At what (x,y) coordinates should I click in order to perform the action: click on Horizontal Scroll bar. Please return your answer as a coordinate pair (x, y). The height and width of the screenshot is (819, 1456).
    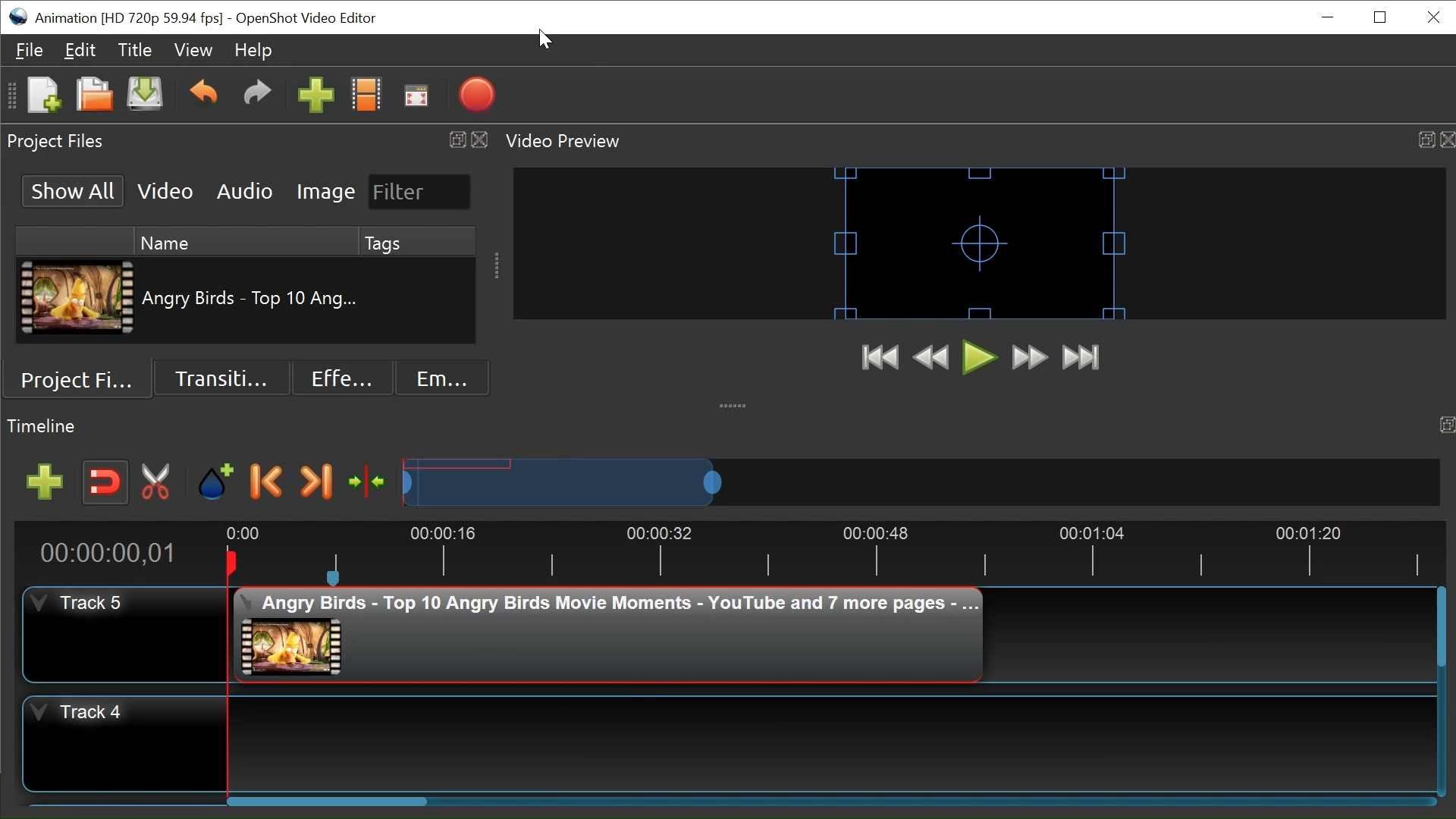
    Looking at the image, I should click on (406, 799).